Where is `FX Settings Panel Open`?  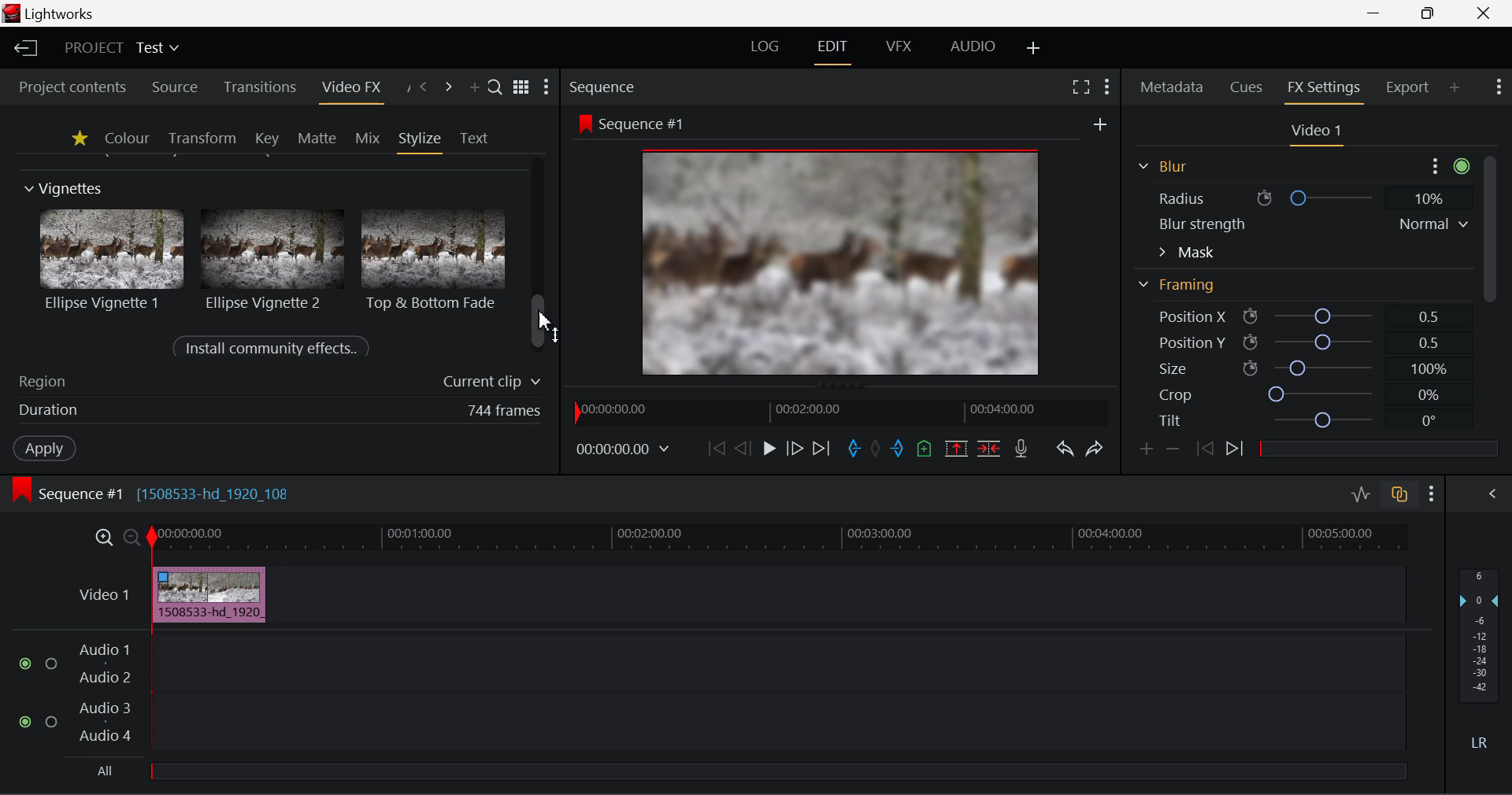 FX Settings Panel Open is located at coordinates (1321, 90).